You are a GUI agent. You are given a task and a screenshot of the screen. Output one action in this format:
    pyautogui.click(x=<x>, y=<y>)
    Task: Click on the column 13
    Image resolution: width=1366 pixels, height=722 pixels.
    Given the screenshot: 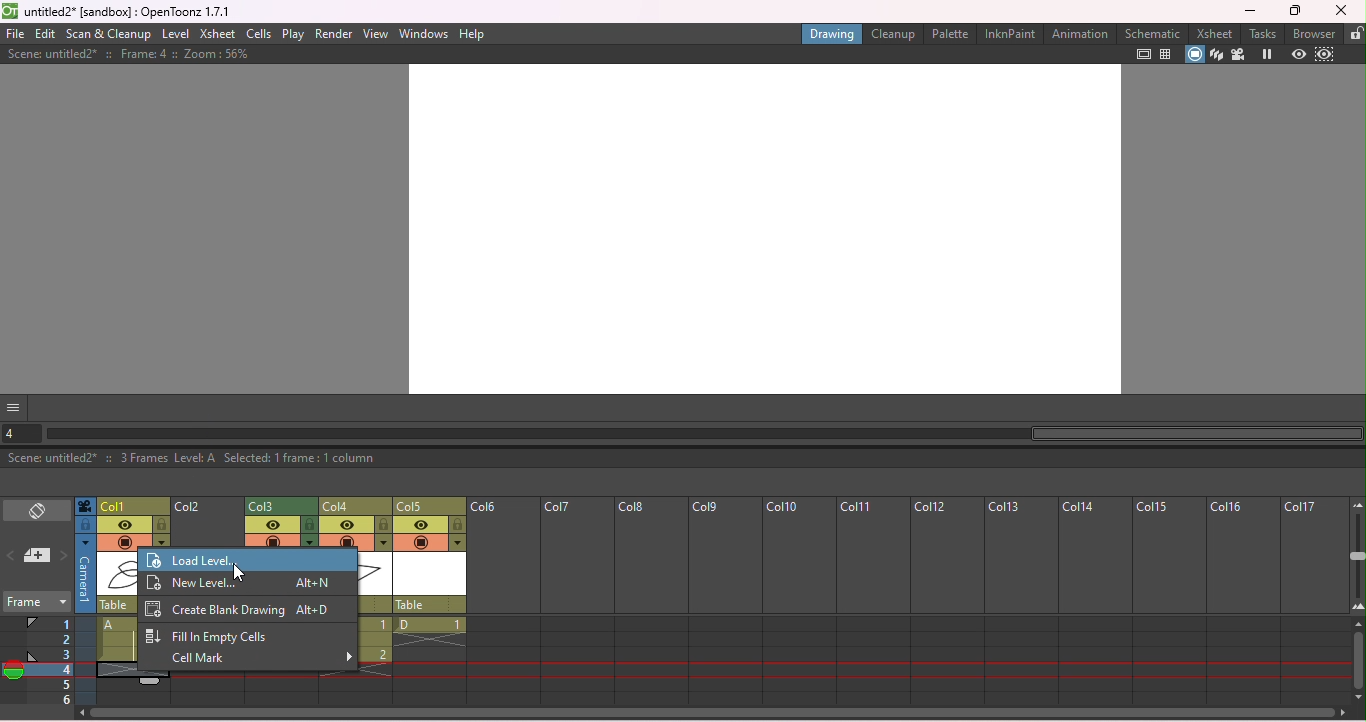 What is the action you would take?
    pyautogui.click(x=1019, y=601)
    